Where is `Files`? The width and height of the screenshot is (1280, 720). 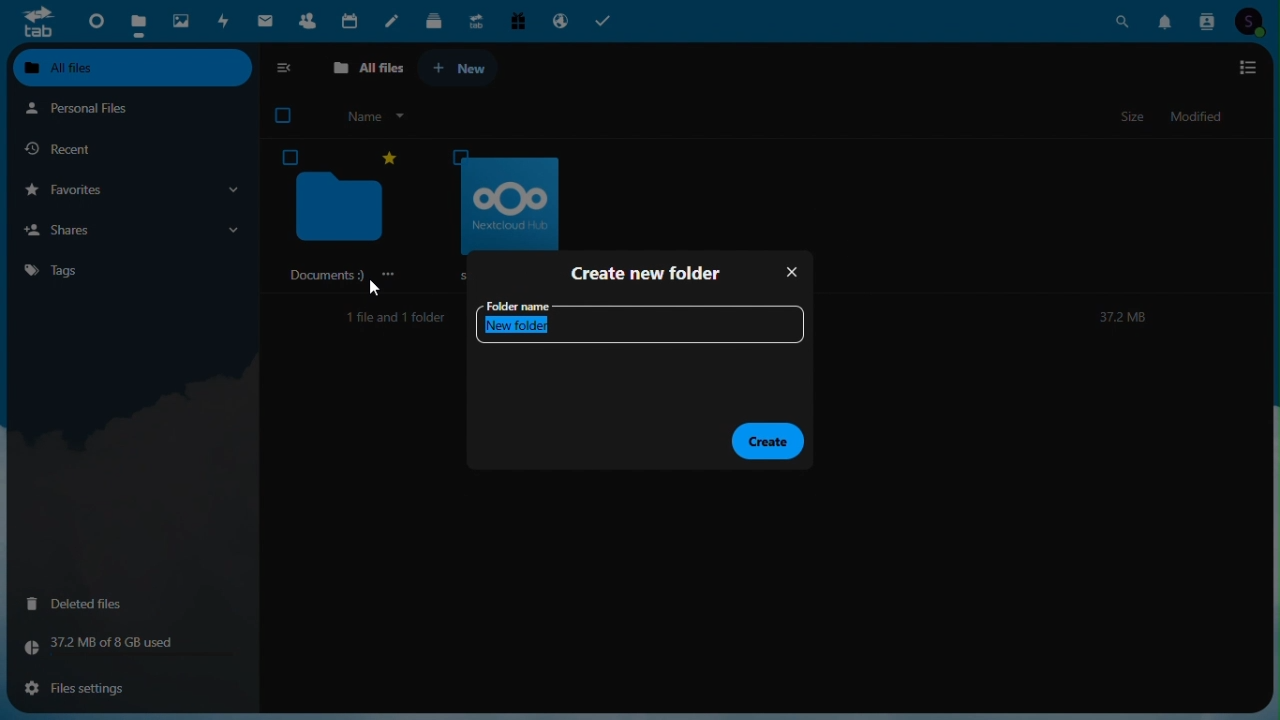 Files is located at coordinates (141, 19).